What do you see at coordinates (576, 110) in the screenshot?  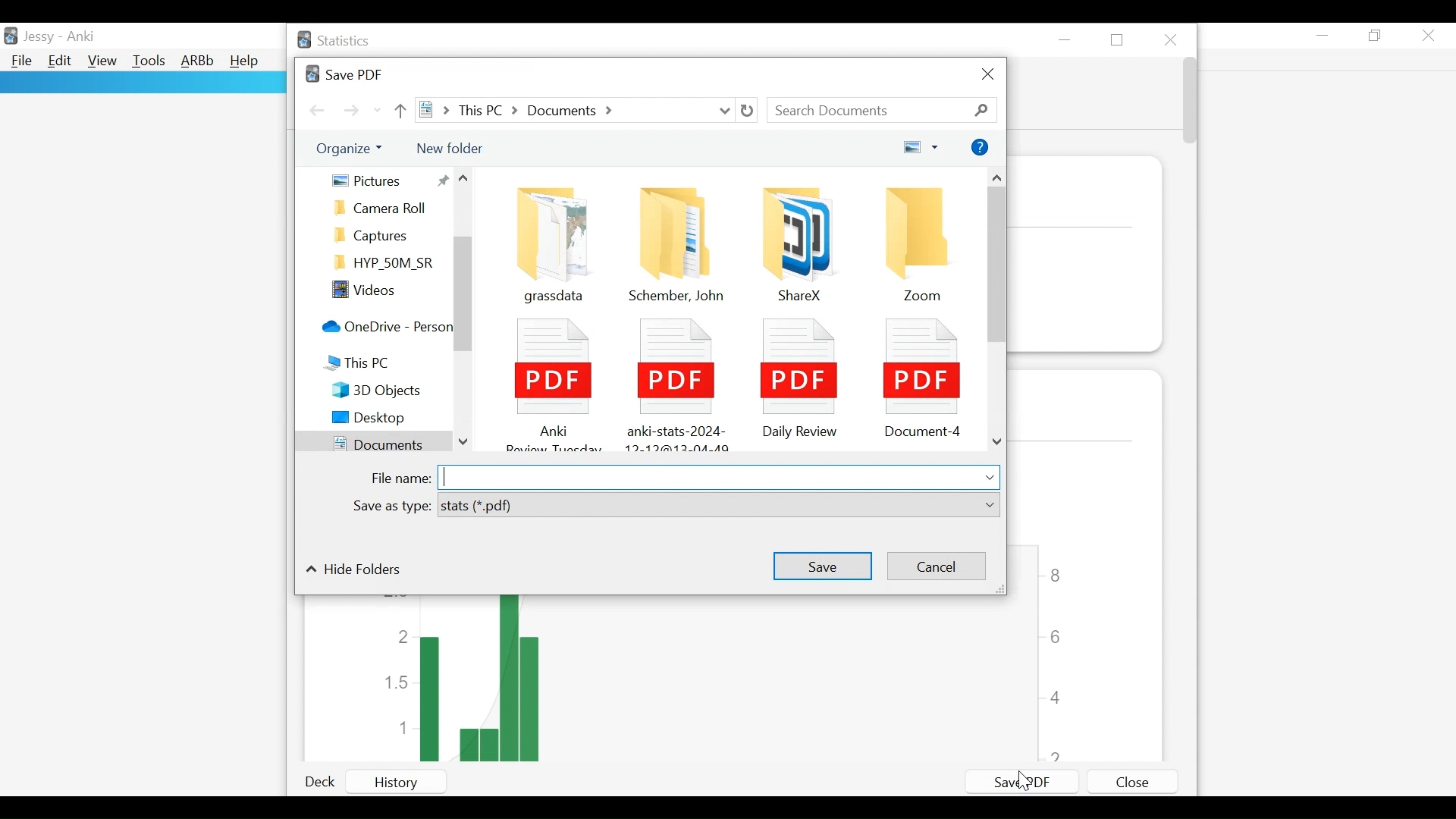 I see `File Path` at bounding box center [576, 110].